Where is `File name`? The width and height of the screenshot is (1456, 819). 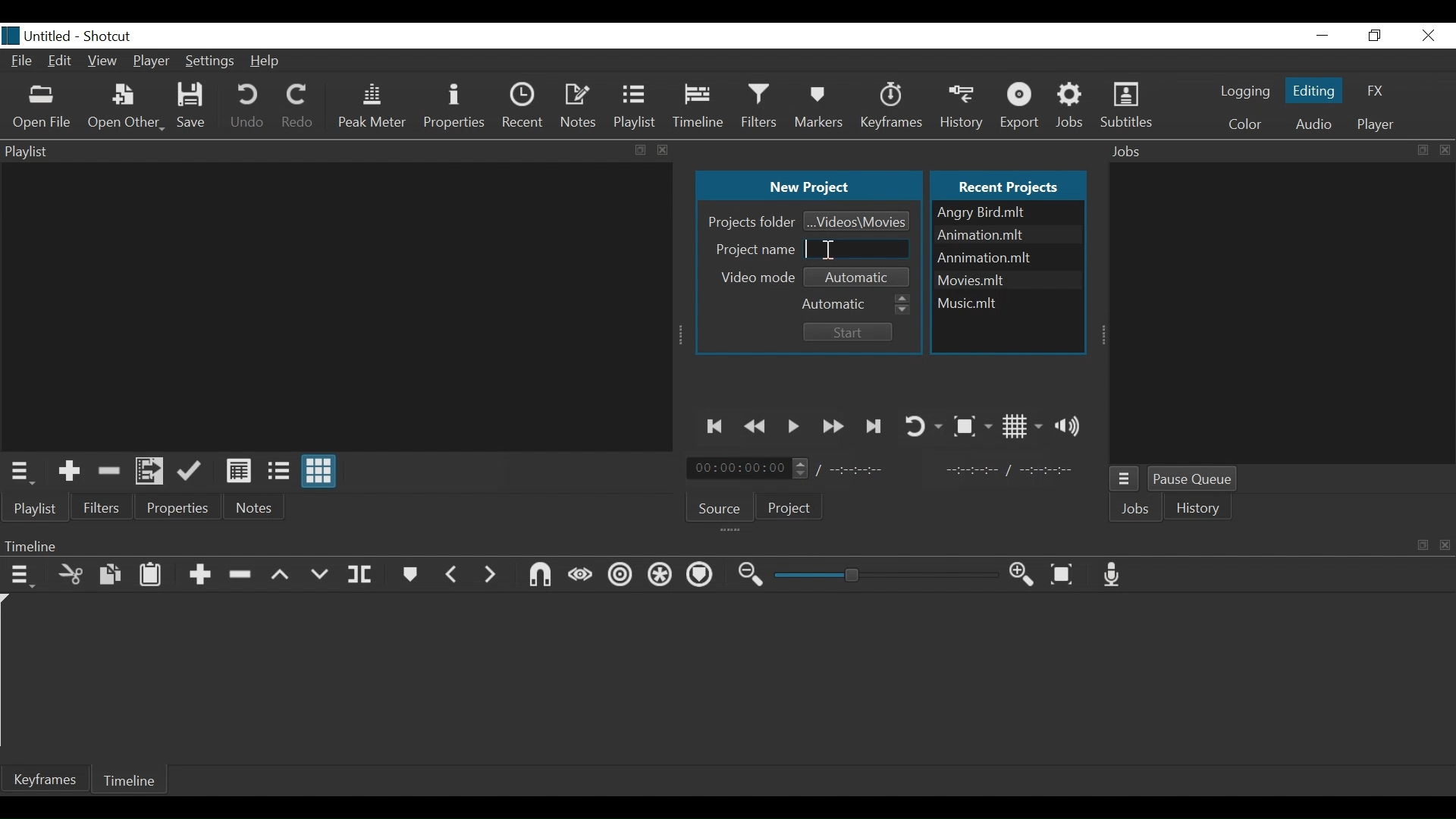 File name is located at coordinates (1008, 212).